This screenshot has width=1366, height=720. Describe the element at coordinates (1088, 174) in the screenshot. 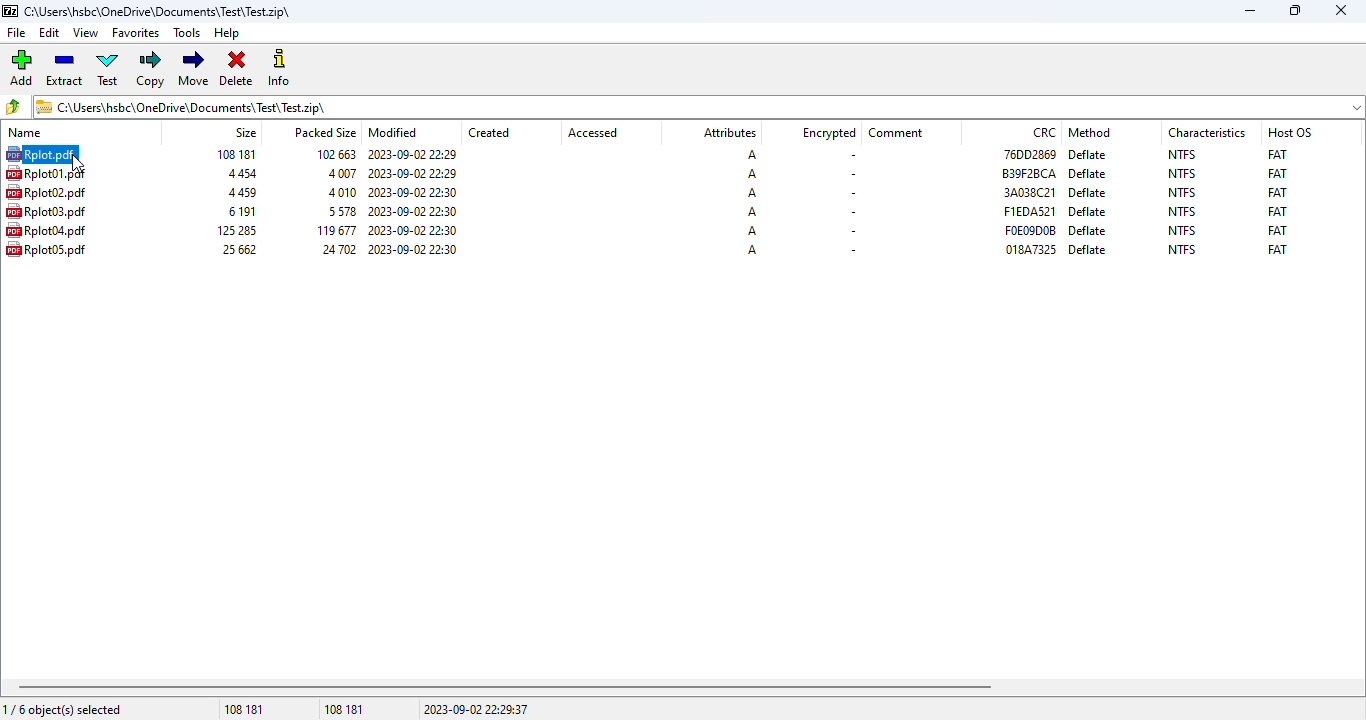

I see `deflate` at that location.